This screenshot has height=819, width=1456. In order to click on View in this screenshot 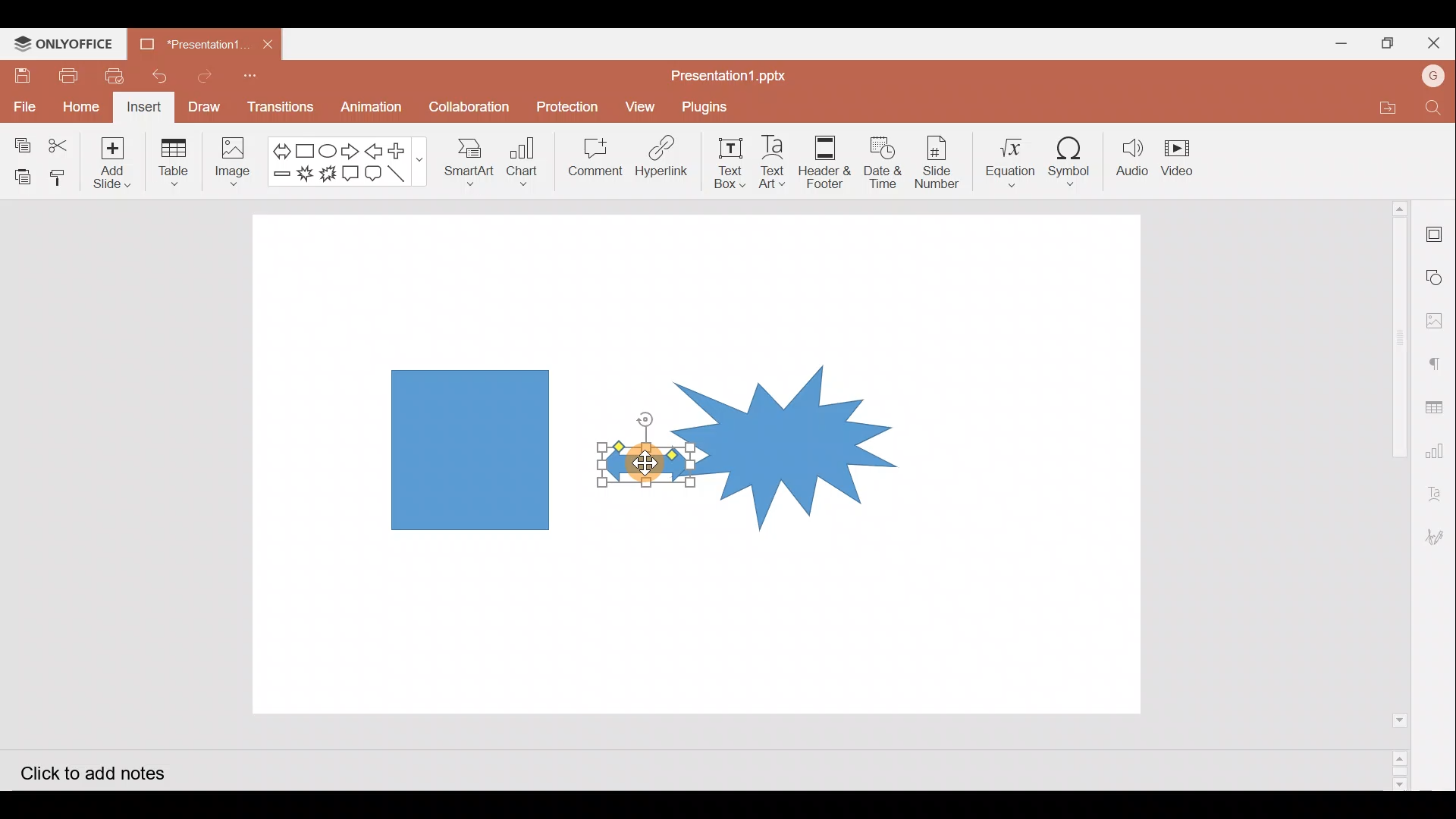, I will do `click(640, 105)`.